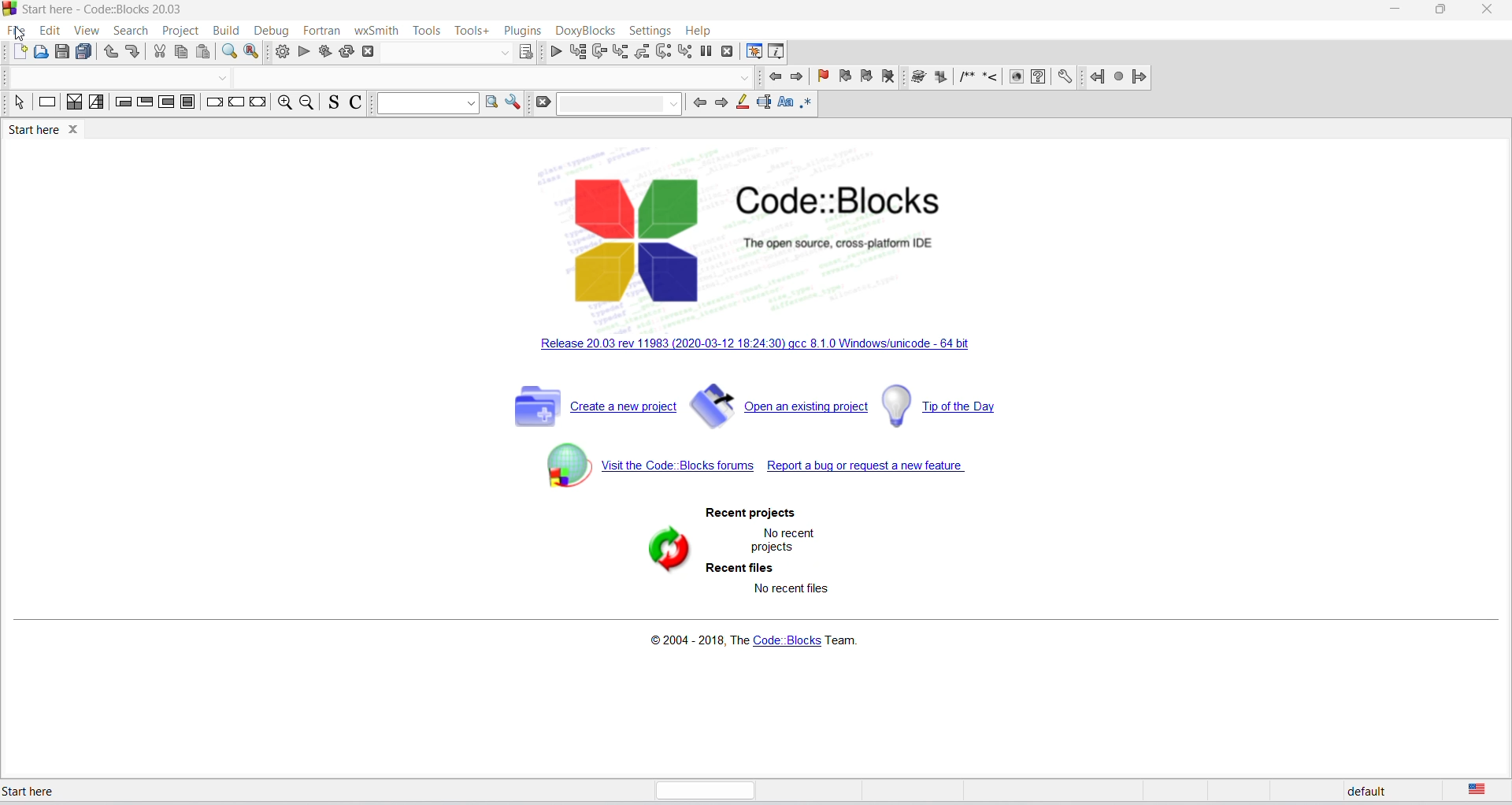  What do you see at coordinates (867, 78) in the screenshot?
I see `next bookmark` at bounding box center [867, 78].